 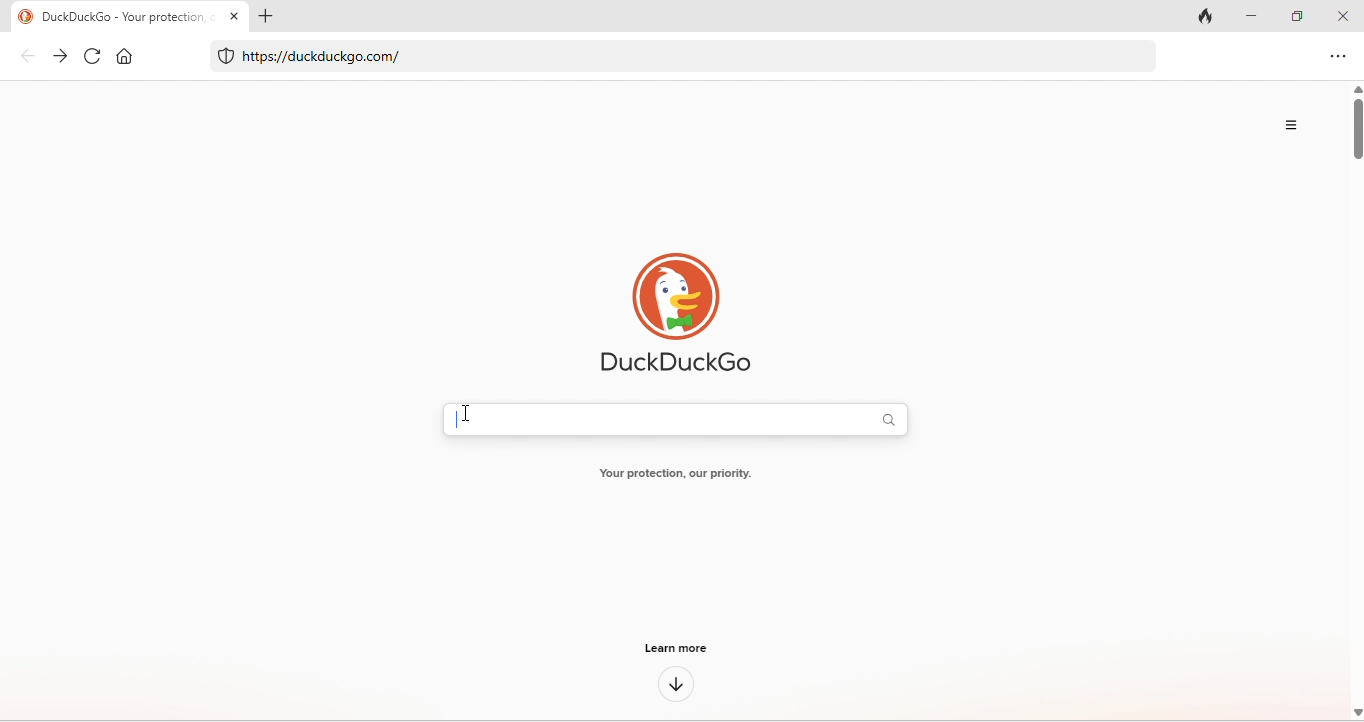 I want to click on option, so click(x=1290, y=123).